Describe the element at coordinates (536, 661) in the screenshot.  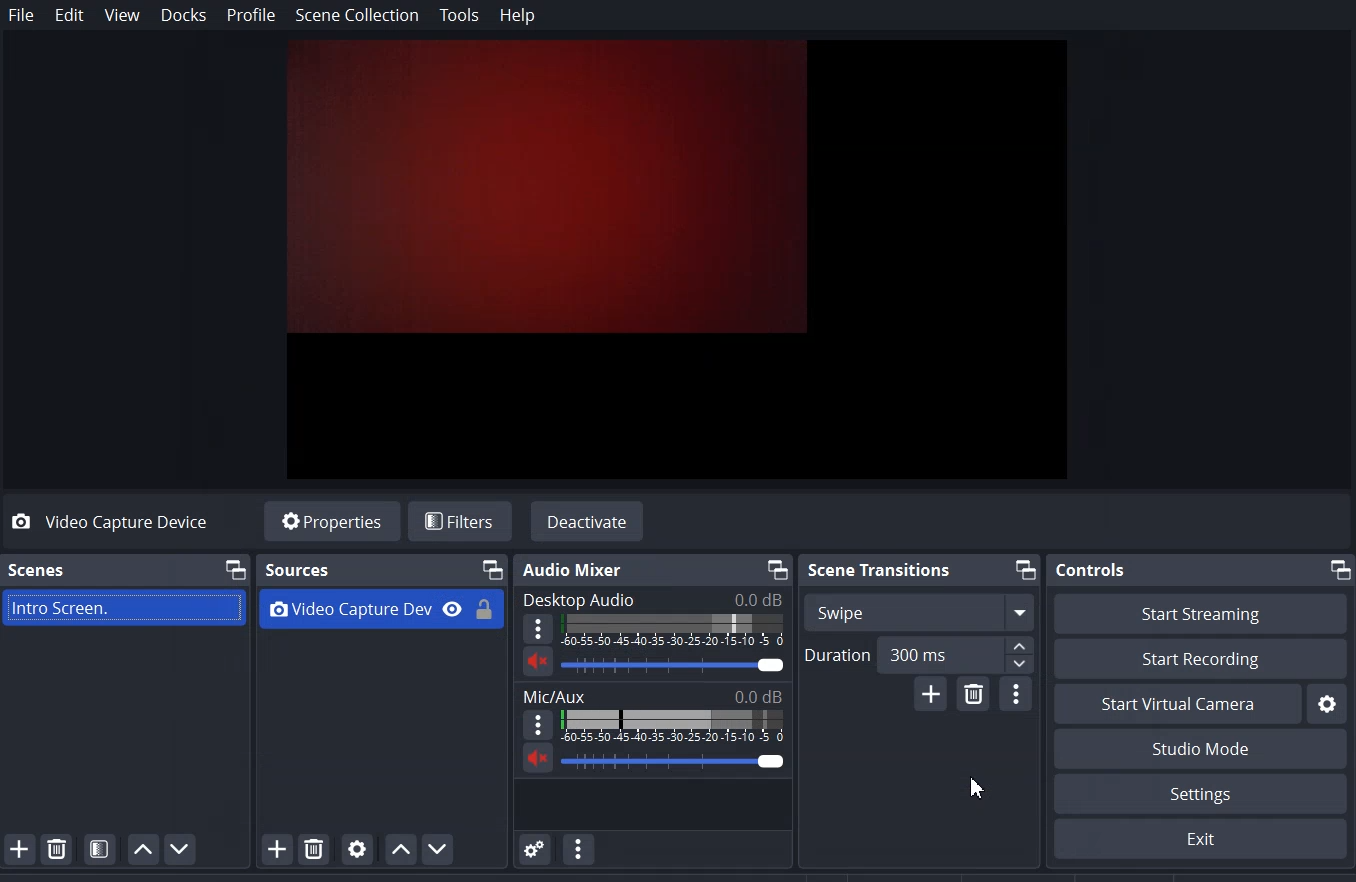
I see `Mute` at that location.